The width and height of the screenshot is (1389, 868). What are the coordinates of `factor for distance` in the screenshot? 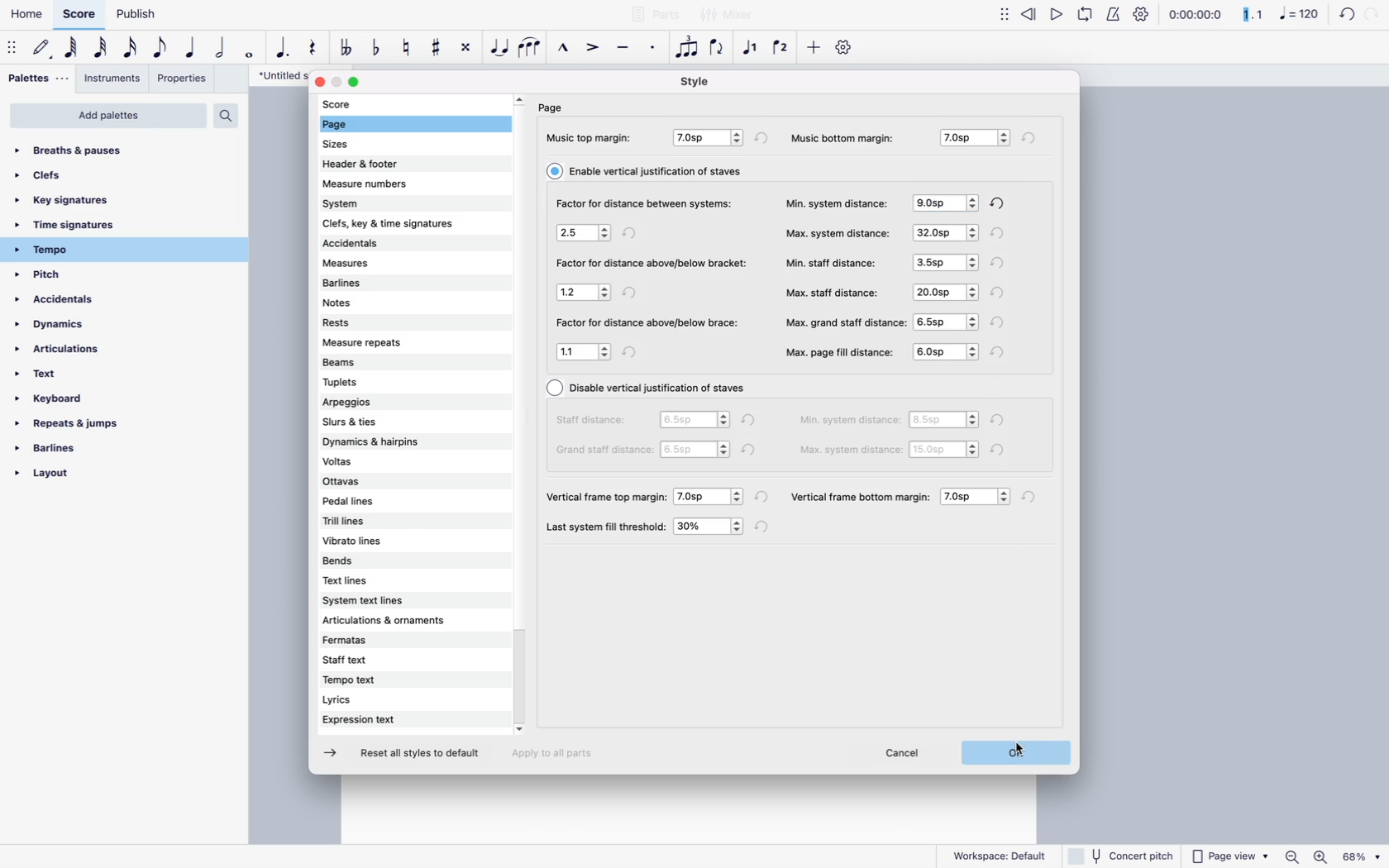 It's located at (652, 265).